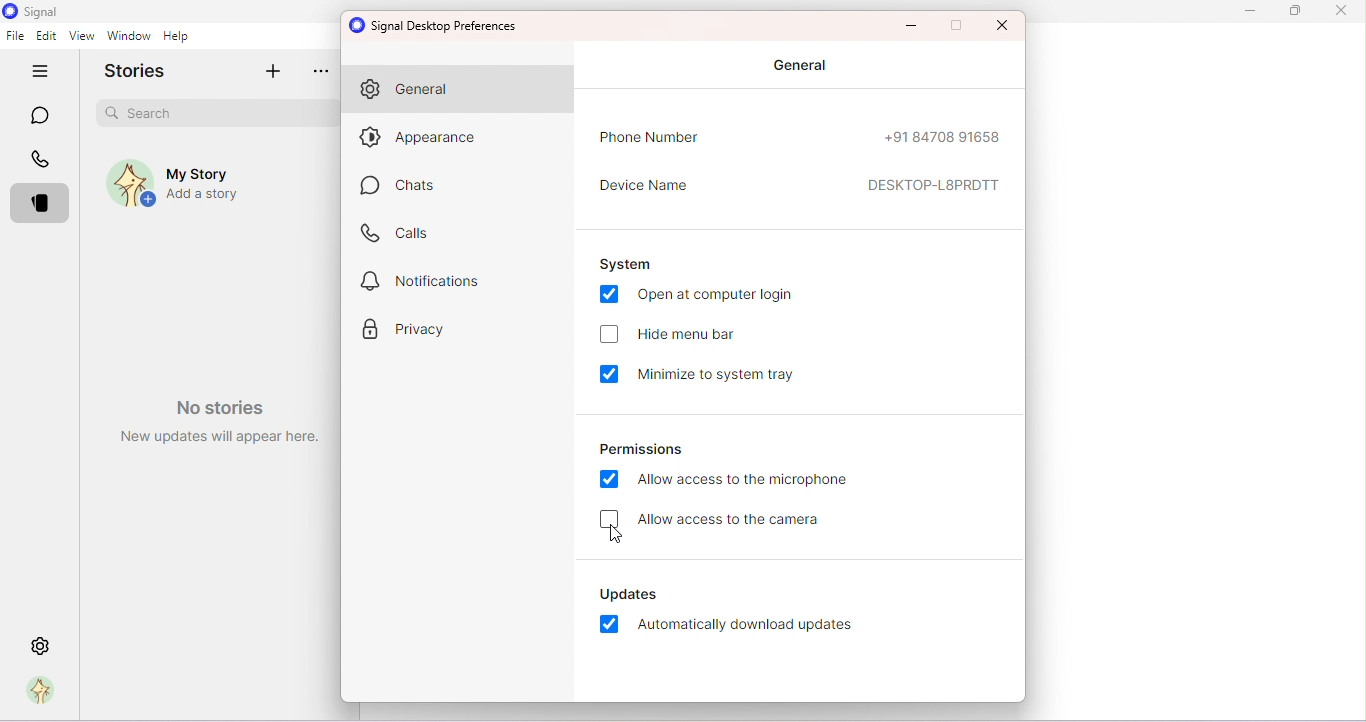 The width and height of the screenshot is (1366, 722). What do you see at coordinates (1249, 13) in the screenshot?
I see `Minimize` at bounding box center [1249, 13].